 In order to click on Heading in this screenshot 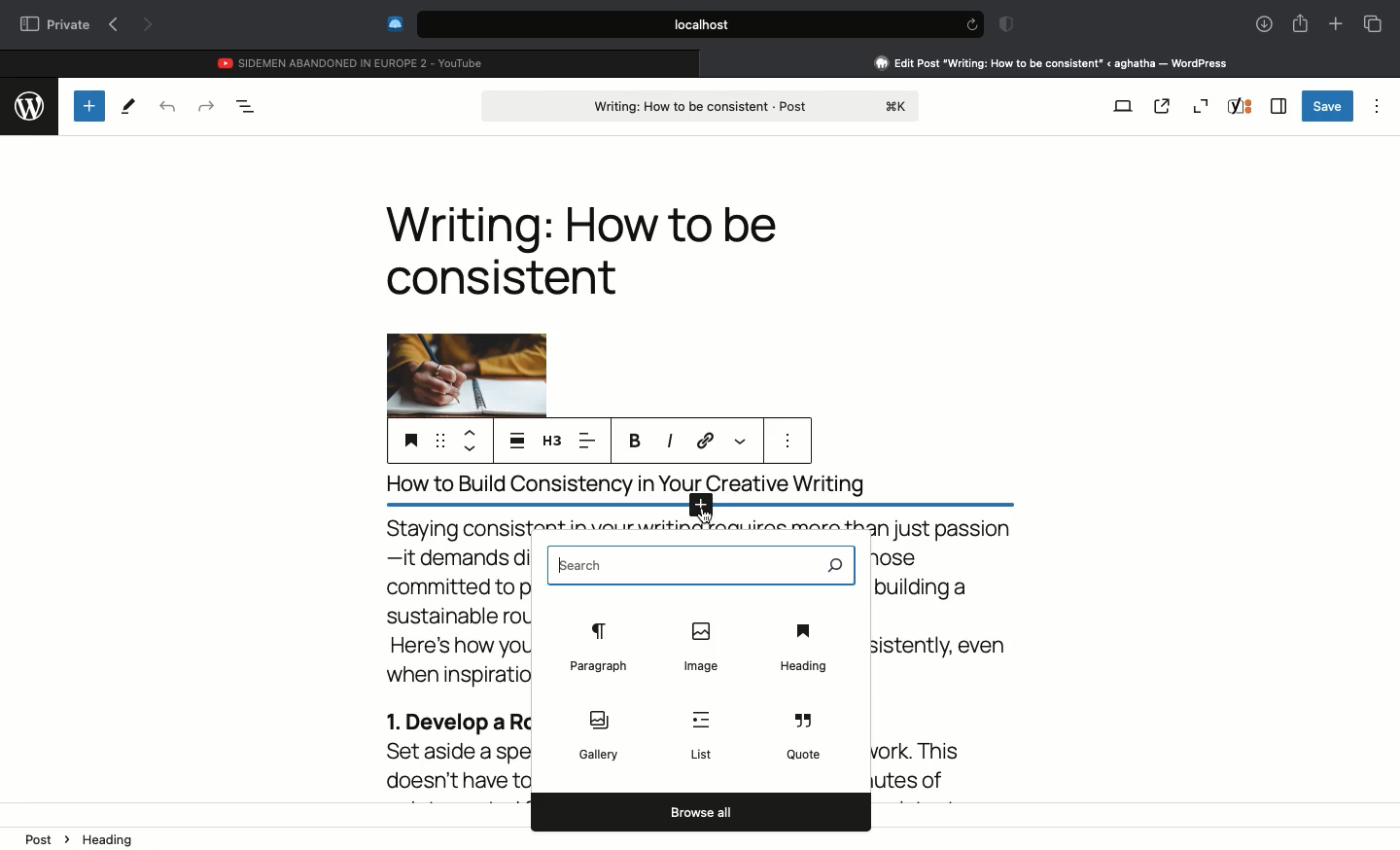, I will do `click(806, 646)`.